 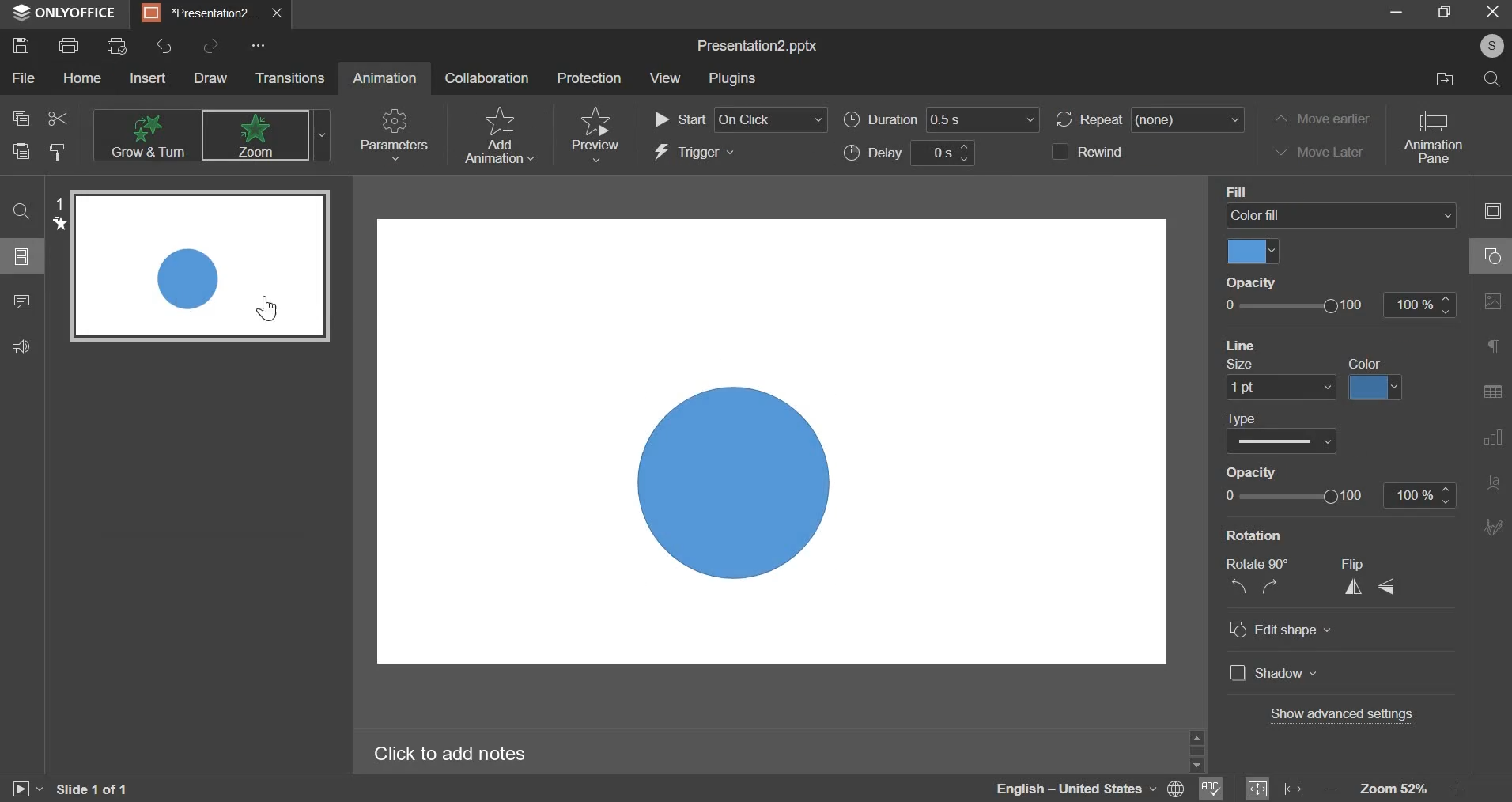 What do you see at coordinates (498, 134) in the screenshot?
I see `add animation` at bounding box center [498, 134].